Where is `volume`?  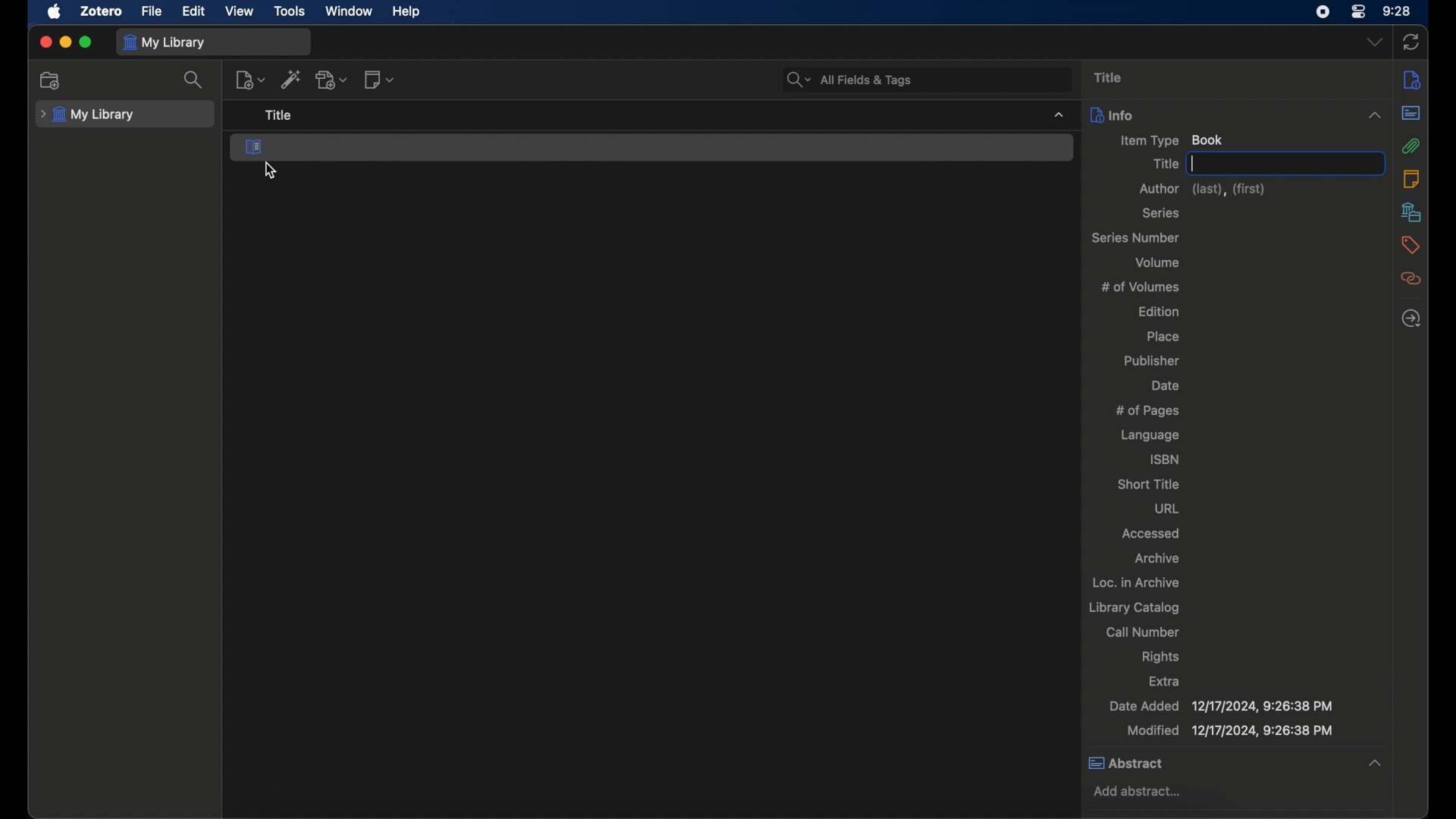
volume is located at coordinates (1157, 263).